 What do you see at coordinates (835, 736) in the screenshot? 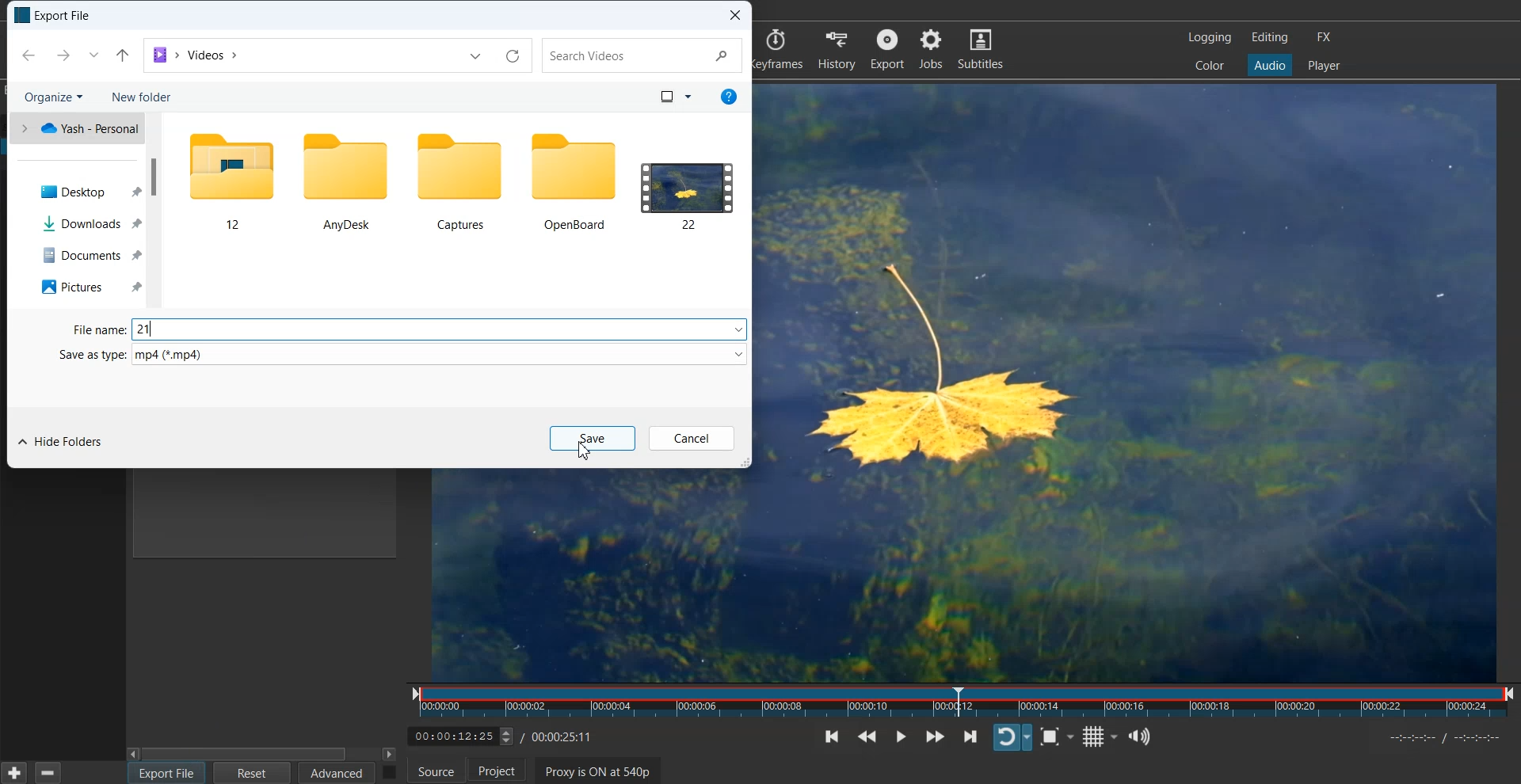
I see `Skip to the previous point` at bounding box center [835, 736].